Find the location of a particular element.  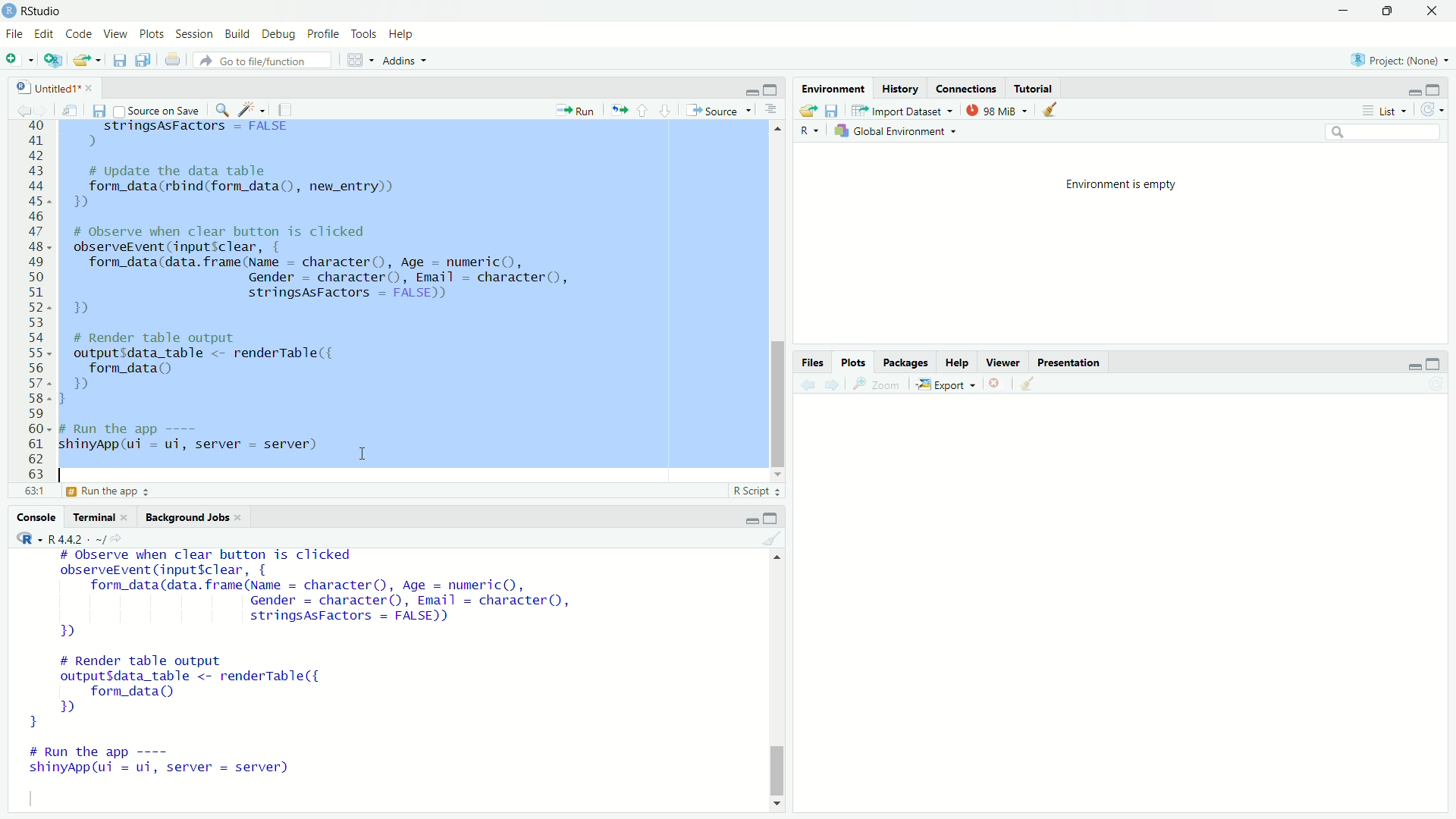

source the contents of the active document is located at coordinates (717, 111).